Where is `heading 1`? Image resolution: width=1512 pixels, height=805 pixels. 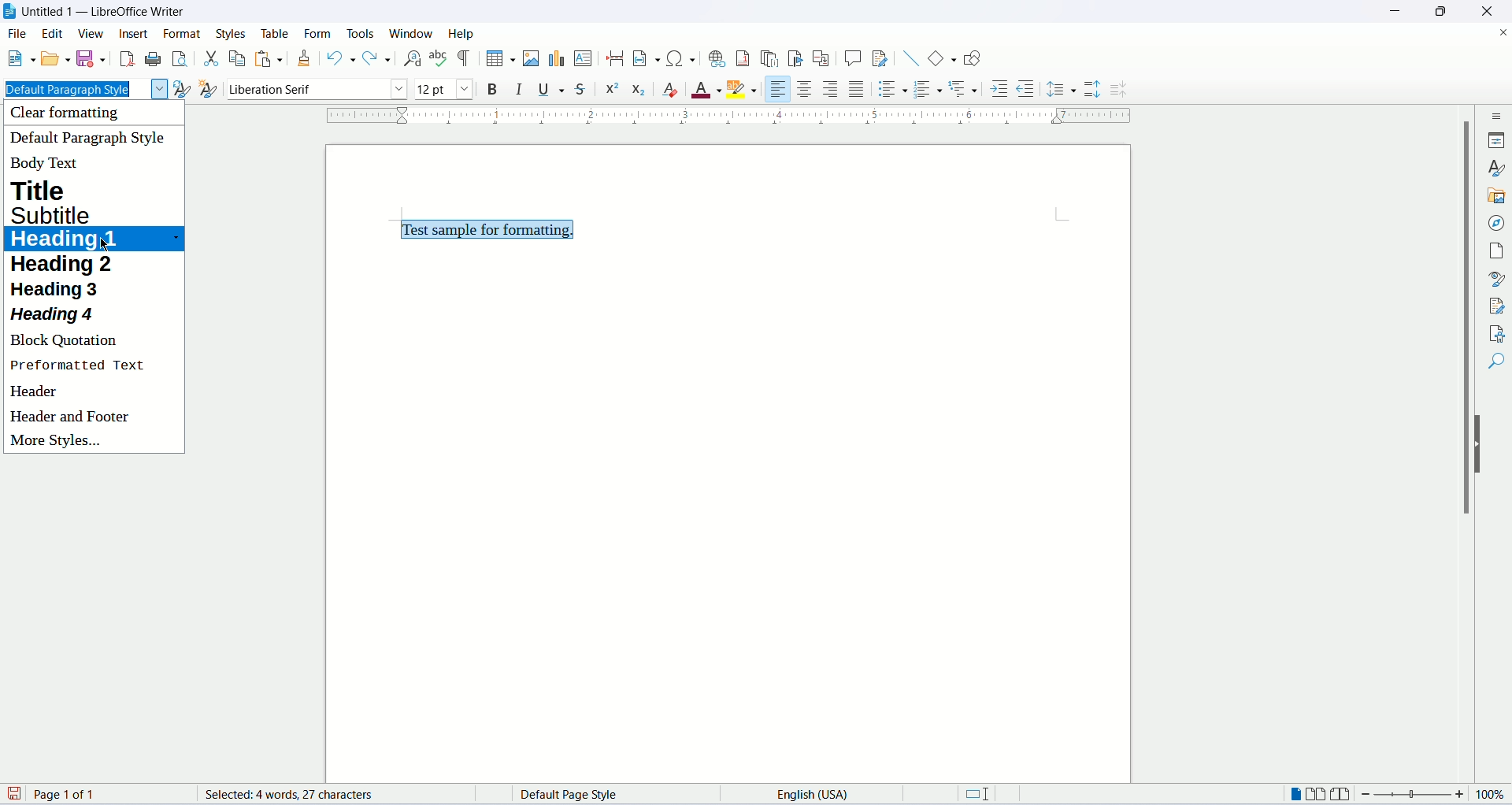 heading 1 is located at coordinates (91, 239).